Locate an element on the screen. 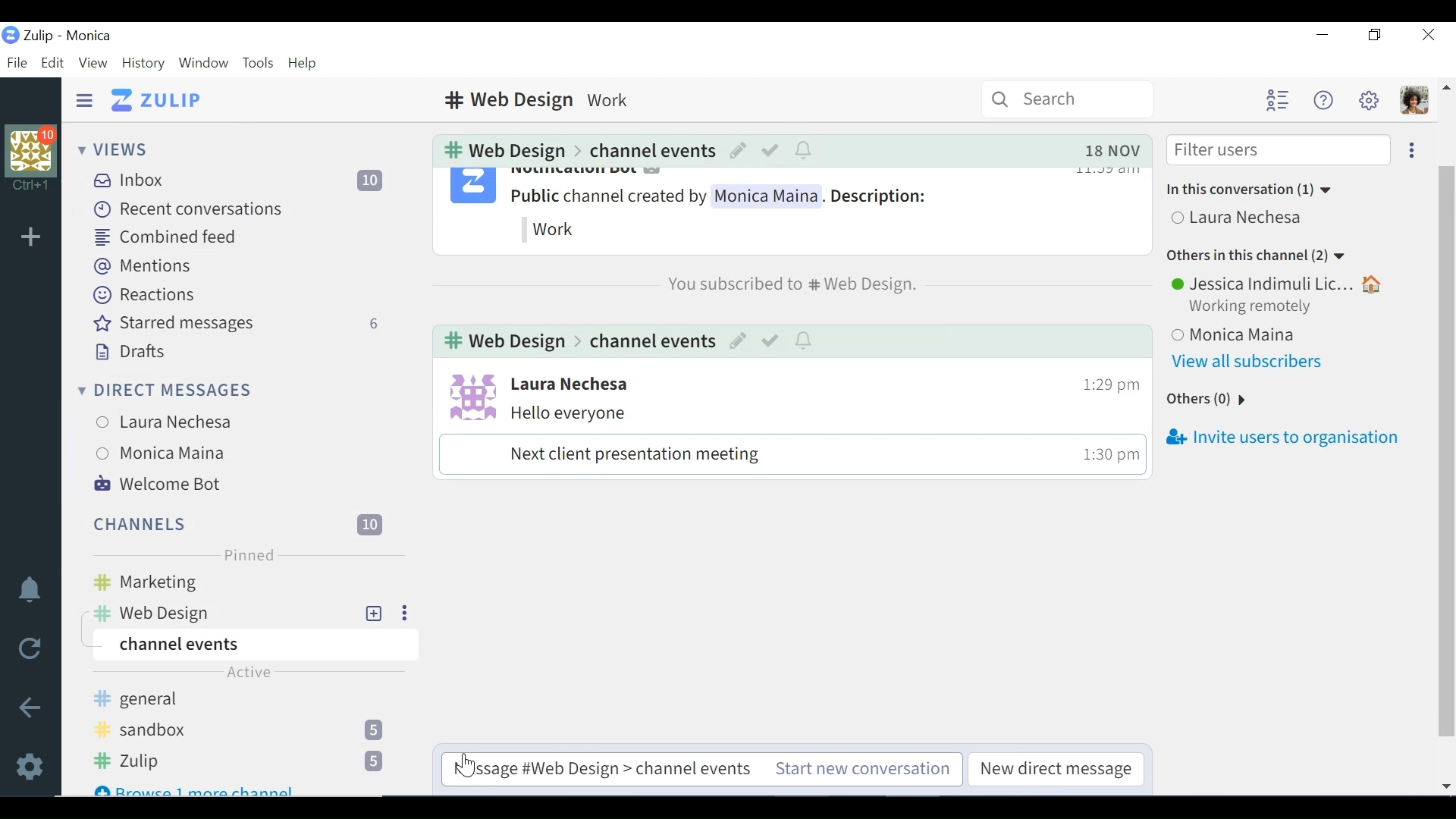 The width and height of the screenshot is (1456, 819). Organisation profile is located at coordinates (33, 162).